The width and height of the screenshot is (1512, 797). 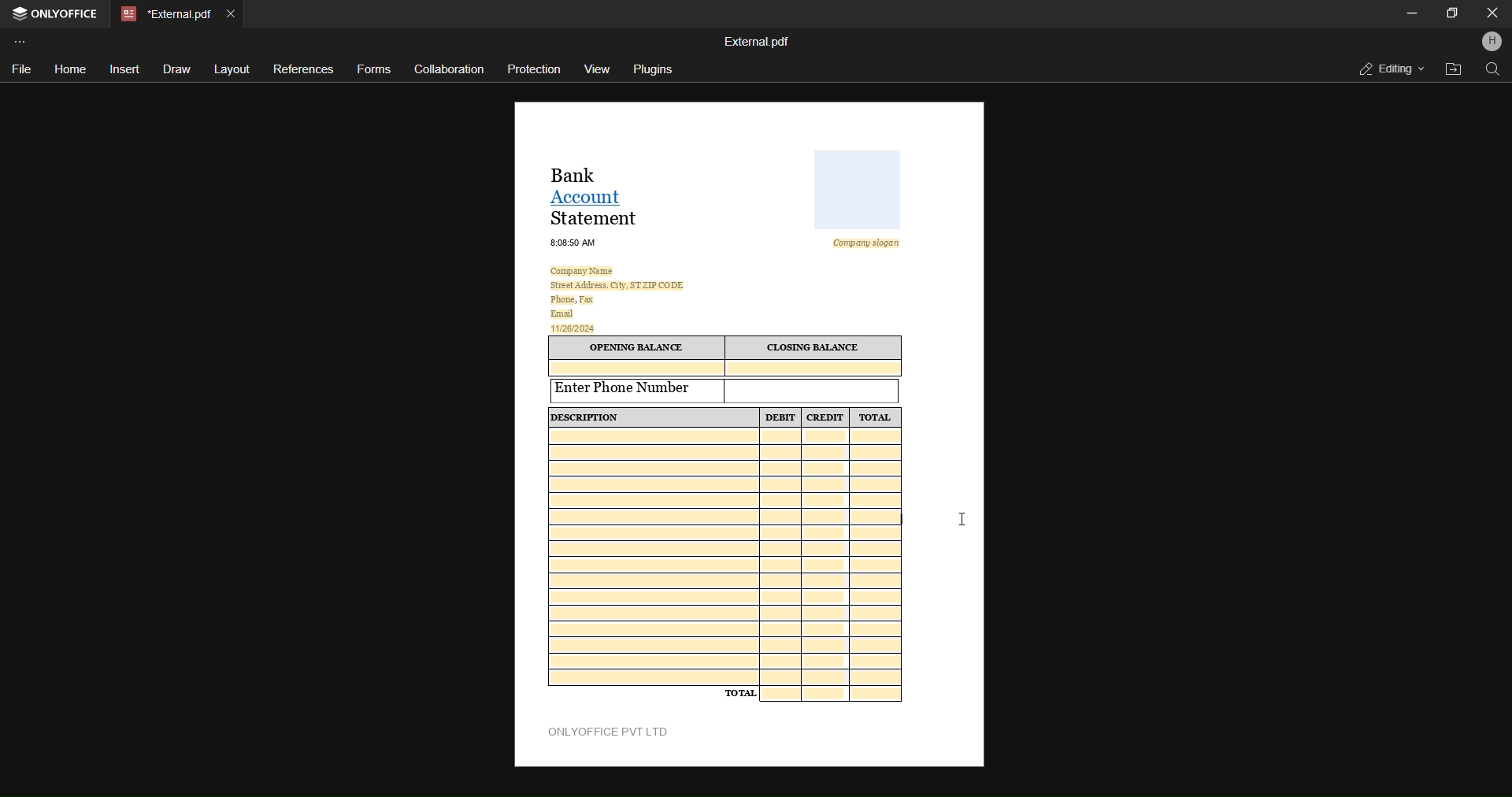 I want to click on ‘OPENING BALANCE, so click(x=636, y=348).